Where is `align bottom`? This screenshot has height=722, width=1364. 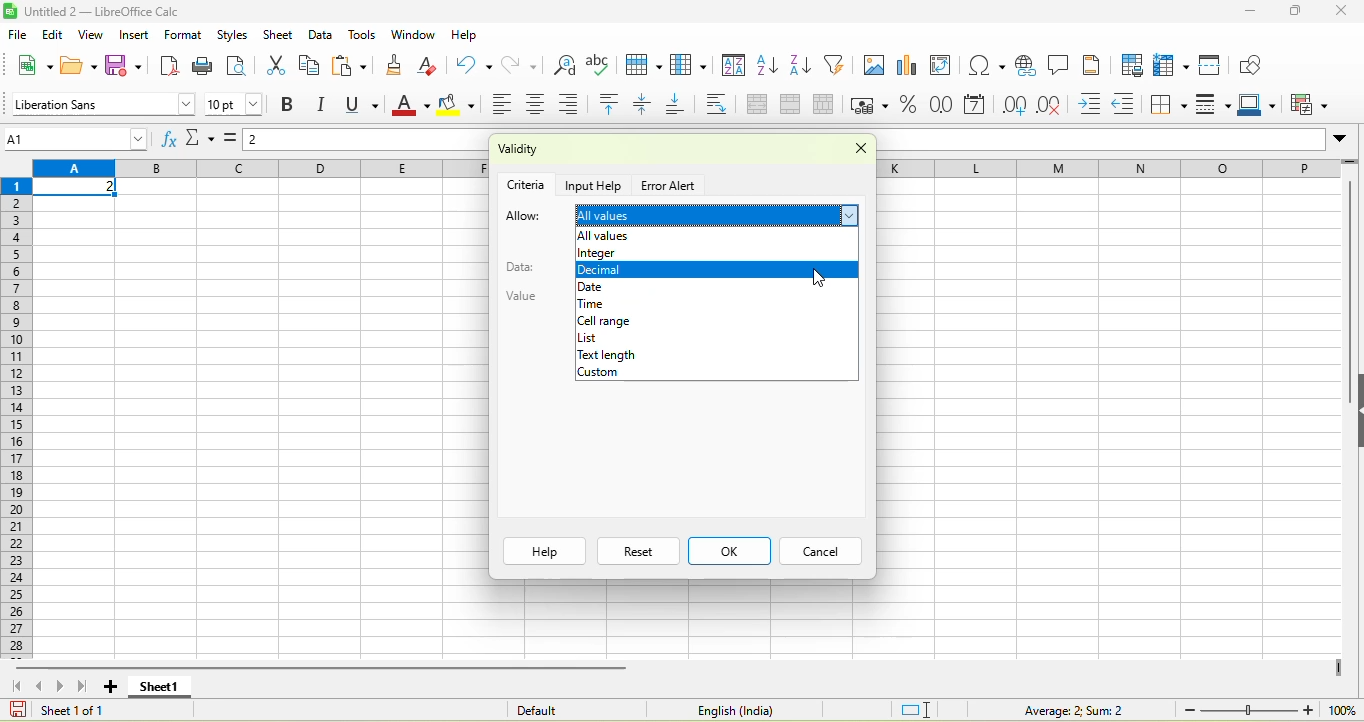
align bottom is located at coordinates (682, 106).